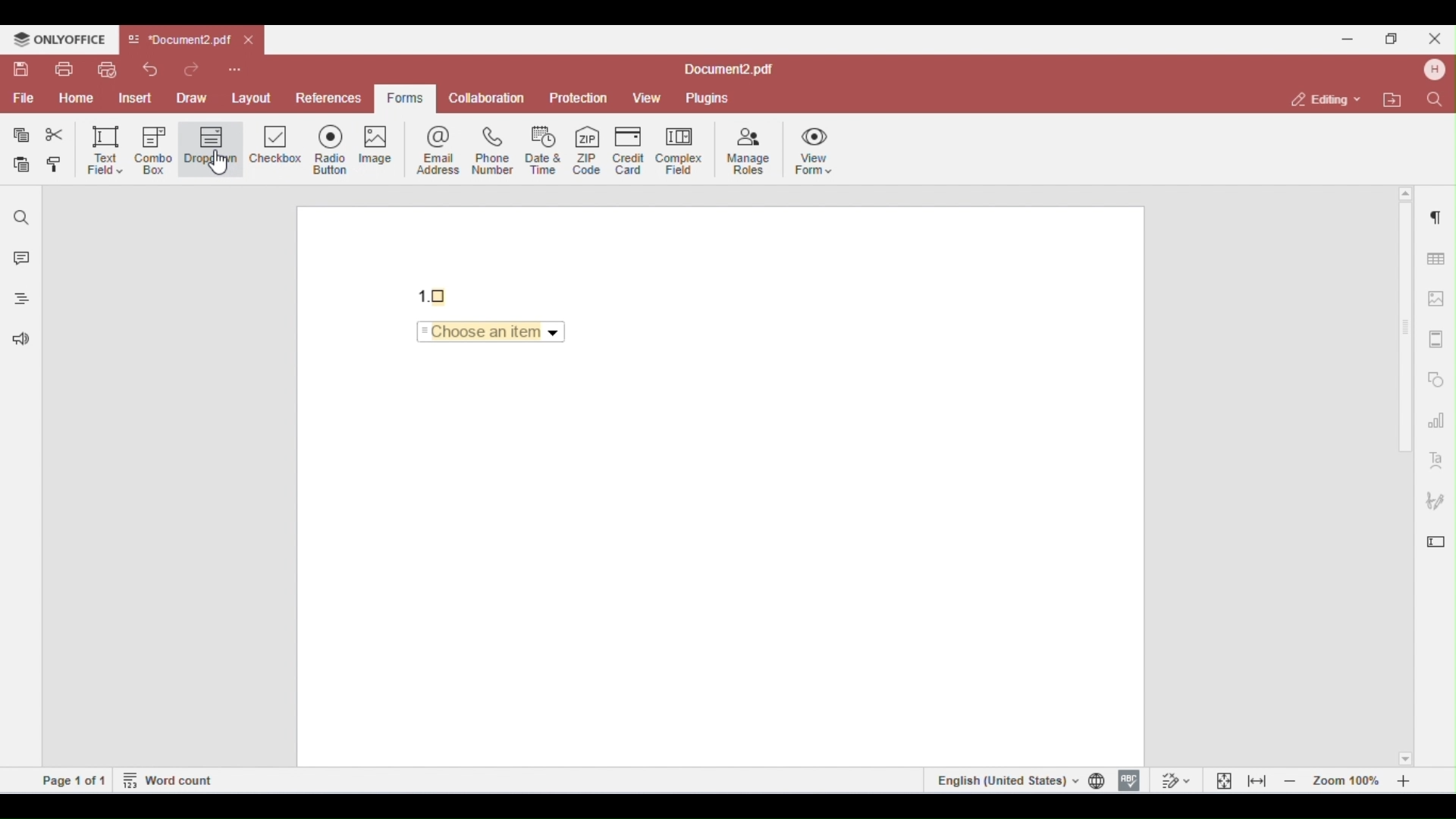  I want to click on spelling, so click(1129, 779).